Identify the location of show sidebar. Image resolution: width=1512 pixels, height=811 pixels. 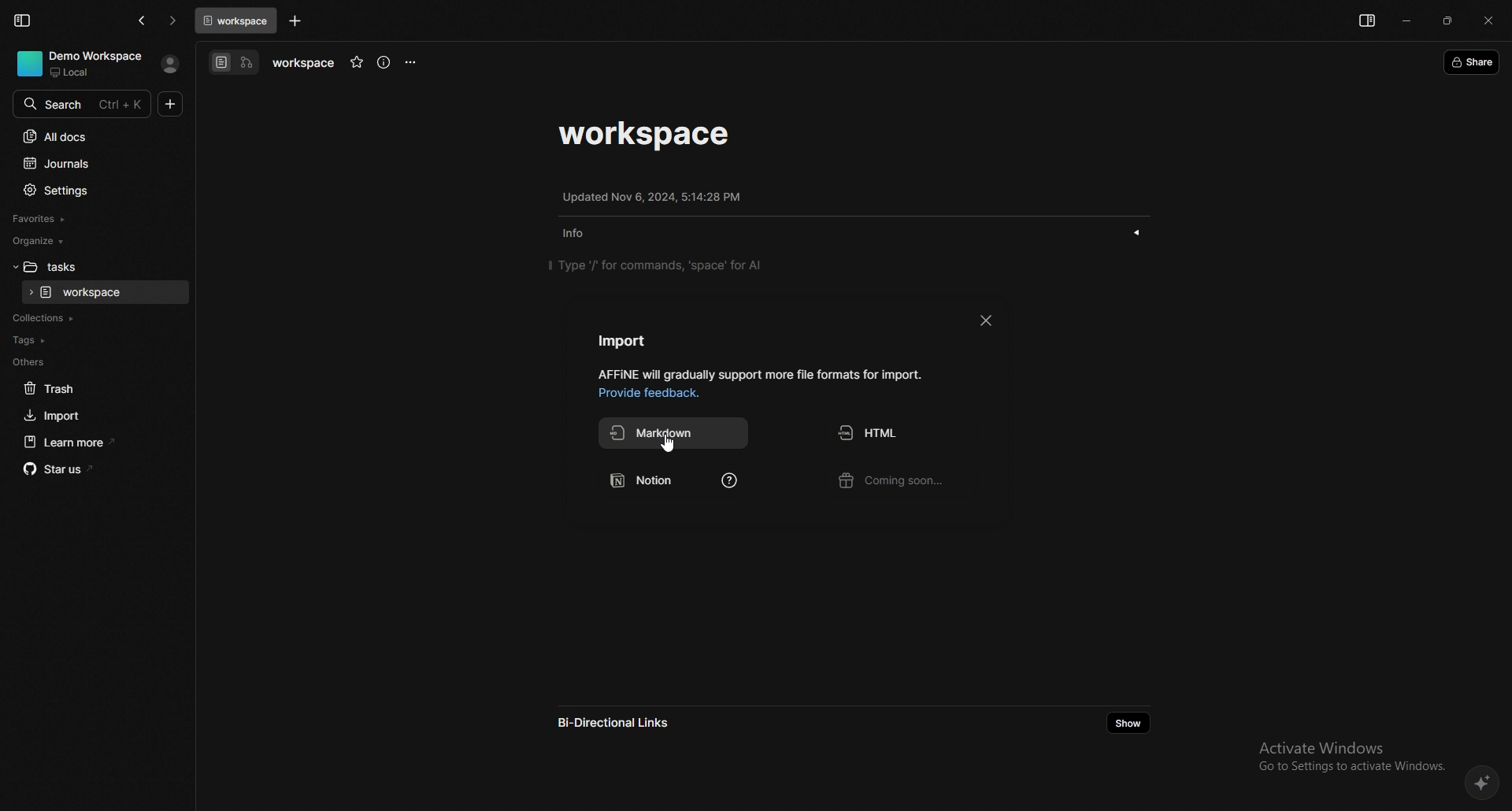
(1366, 21).